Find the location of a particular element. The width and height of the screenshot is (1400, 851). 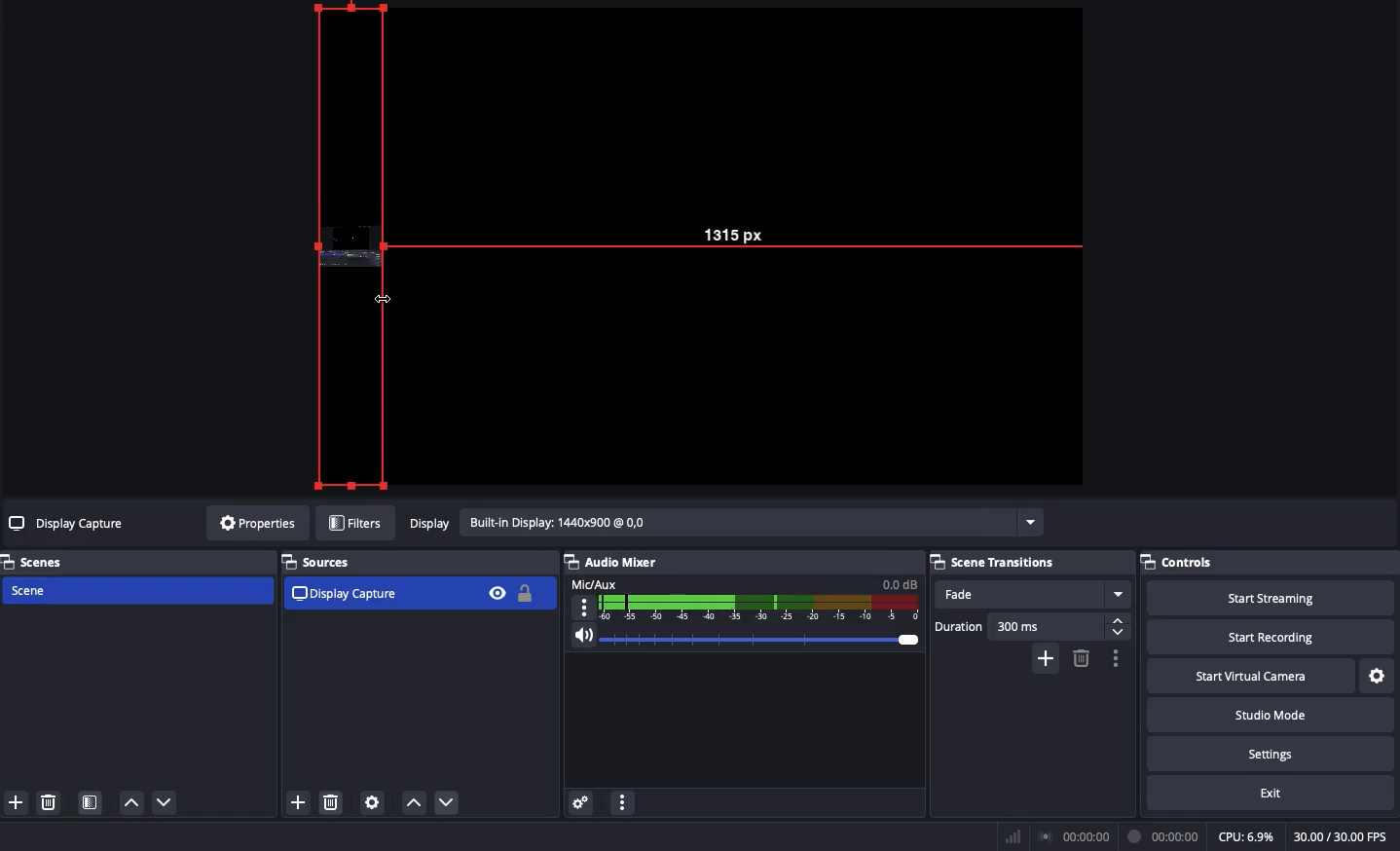

Settings is located at coordinates (1269, 751).